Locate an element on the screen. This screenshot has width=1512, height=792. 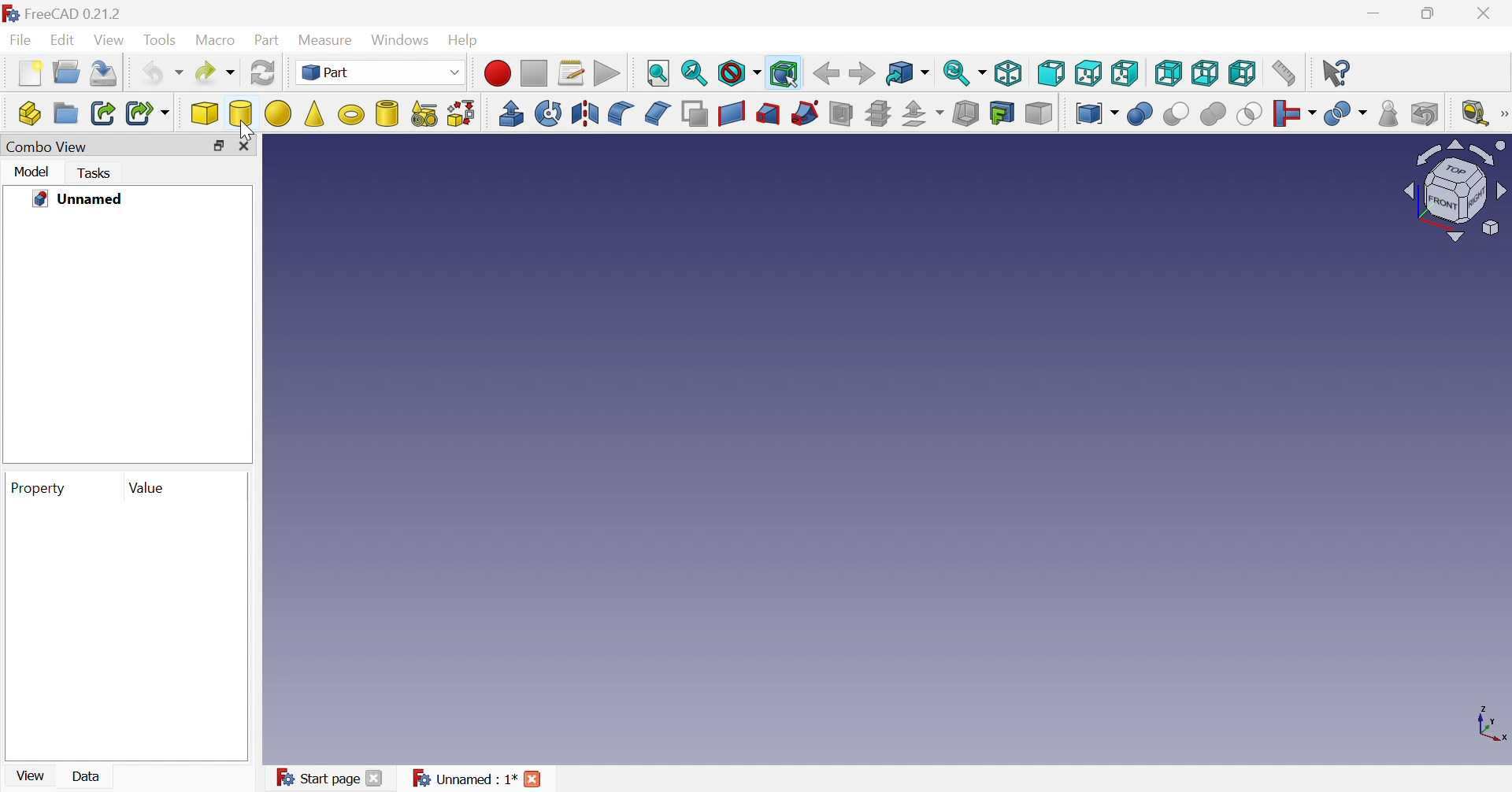
canvas is located at coordinates (916, 483).